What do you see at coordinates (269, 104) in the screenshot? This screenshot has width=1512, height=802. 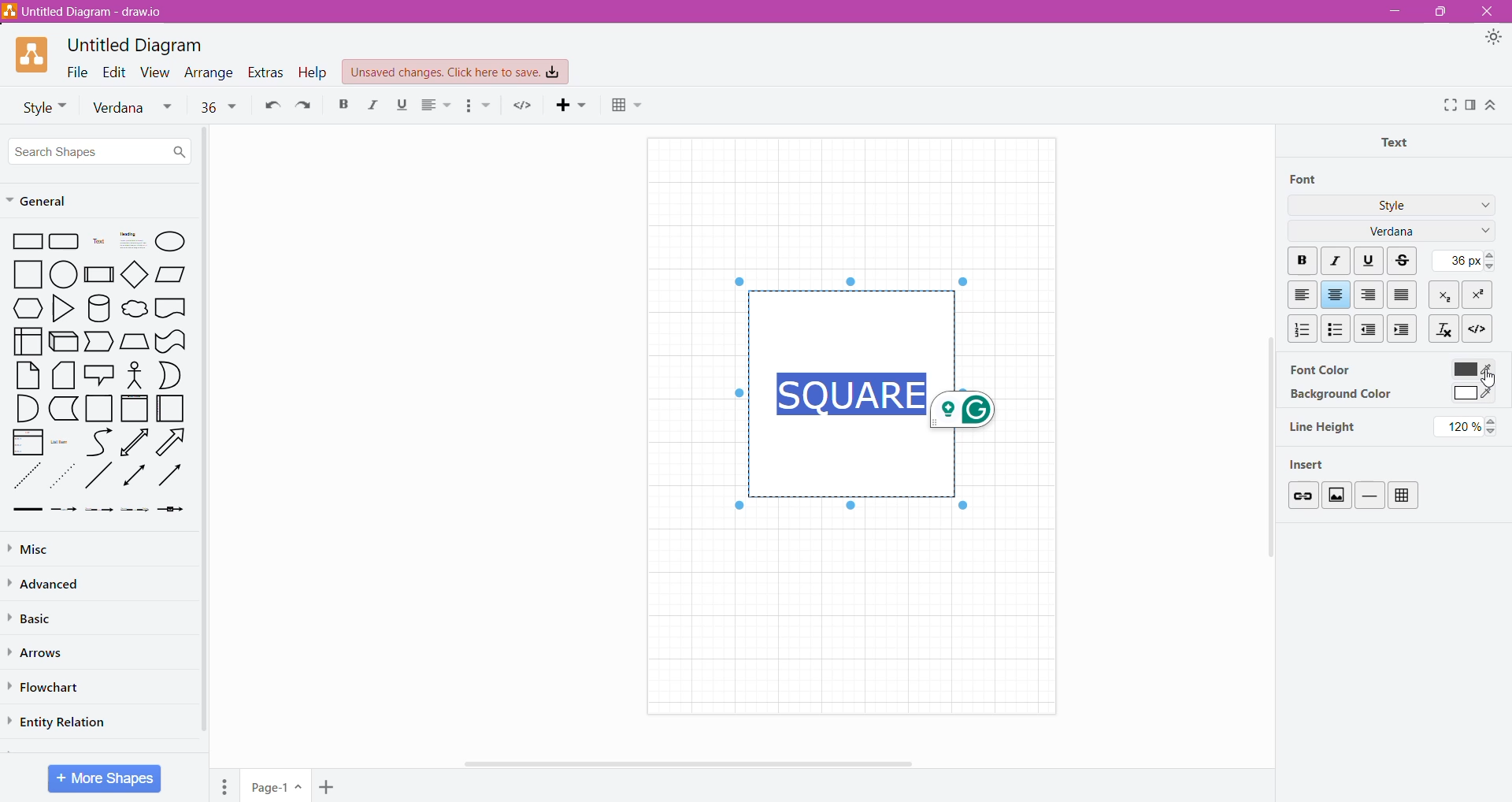 I see `Undo` at bounding box center [269, 104].